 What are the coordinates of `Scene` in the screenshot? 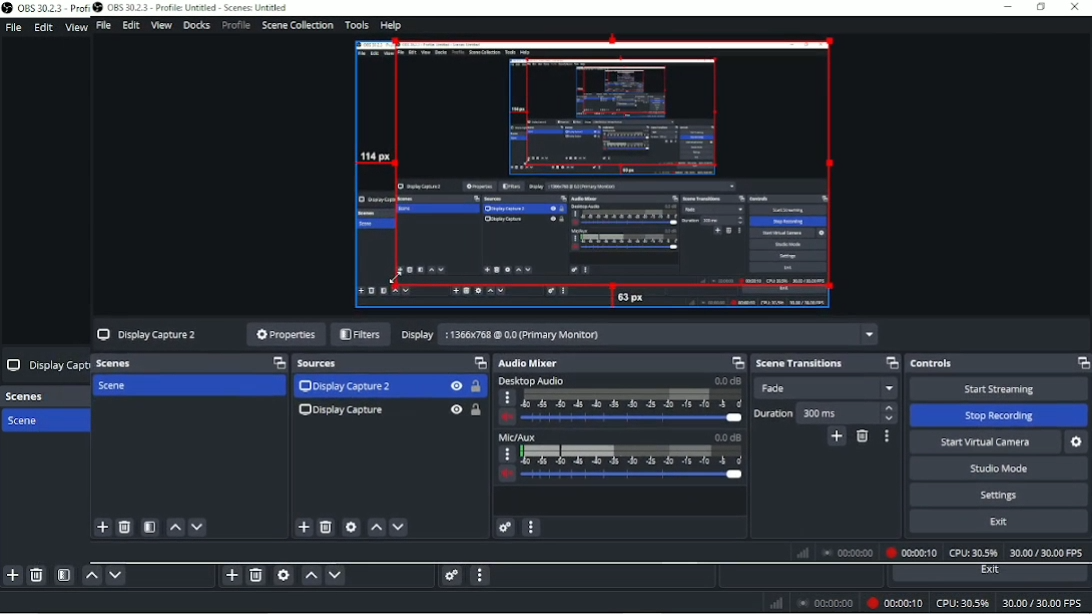 It's located at (42, 421).